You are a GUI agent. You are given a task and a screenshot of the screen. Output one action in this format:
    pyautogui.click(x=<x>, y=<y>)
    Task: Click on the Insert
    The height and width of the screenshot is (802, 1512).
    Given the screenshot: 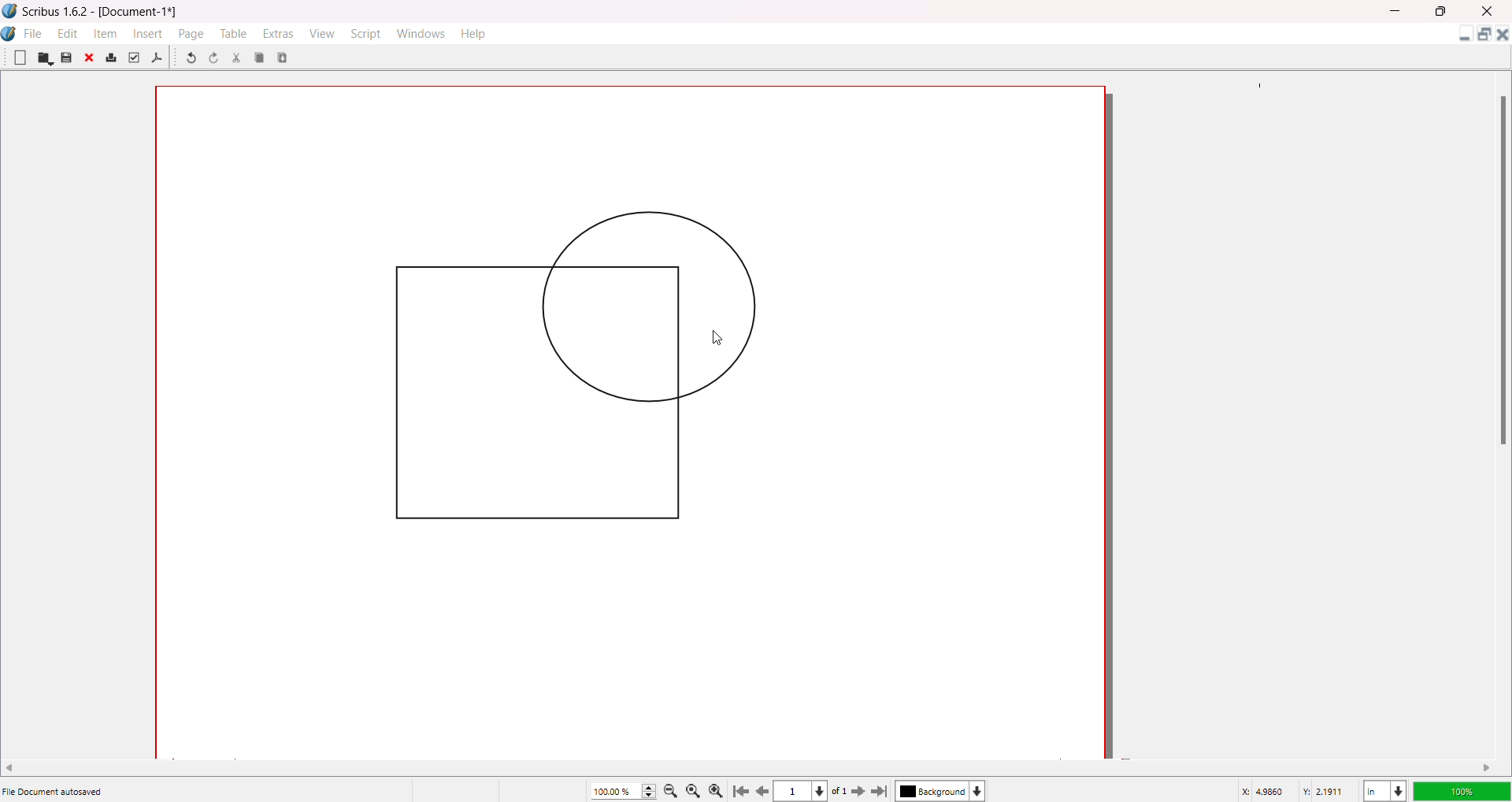 What is the action you would take?
    pyautogui.click(x=150, y=33)
    